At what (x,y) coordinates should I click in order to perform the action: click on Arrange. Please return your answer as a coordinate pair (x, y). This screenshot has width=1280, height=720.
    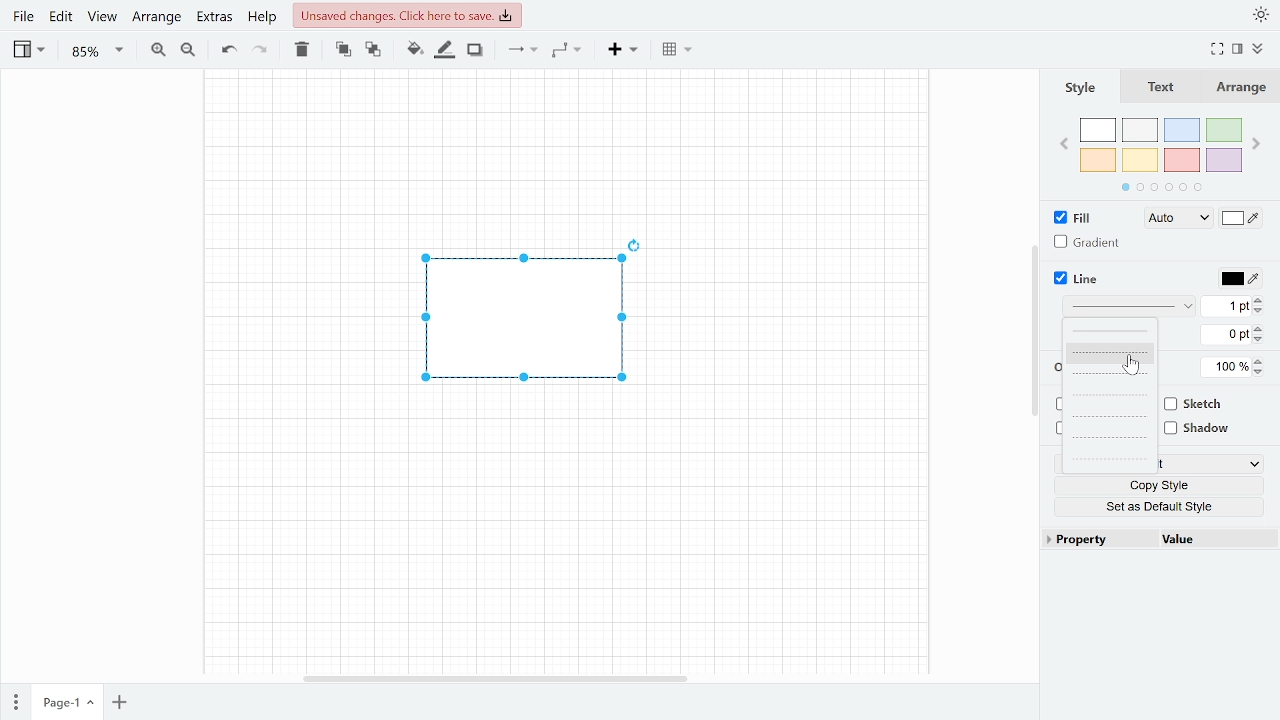
    Looking at the image, I should click on (154, 18).